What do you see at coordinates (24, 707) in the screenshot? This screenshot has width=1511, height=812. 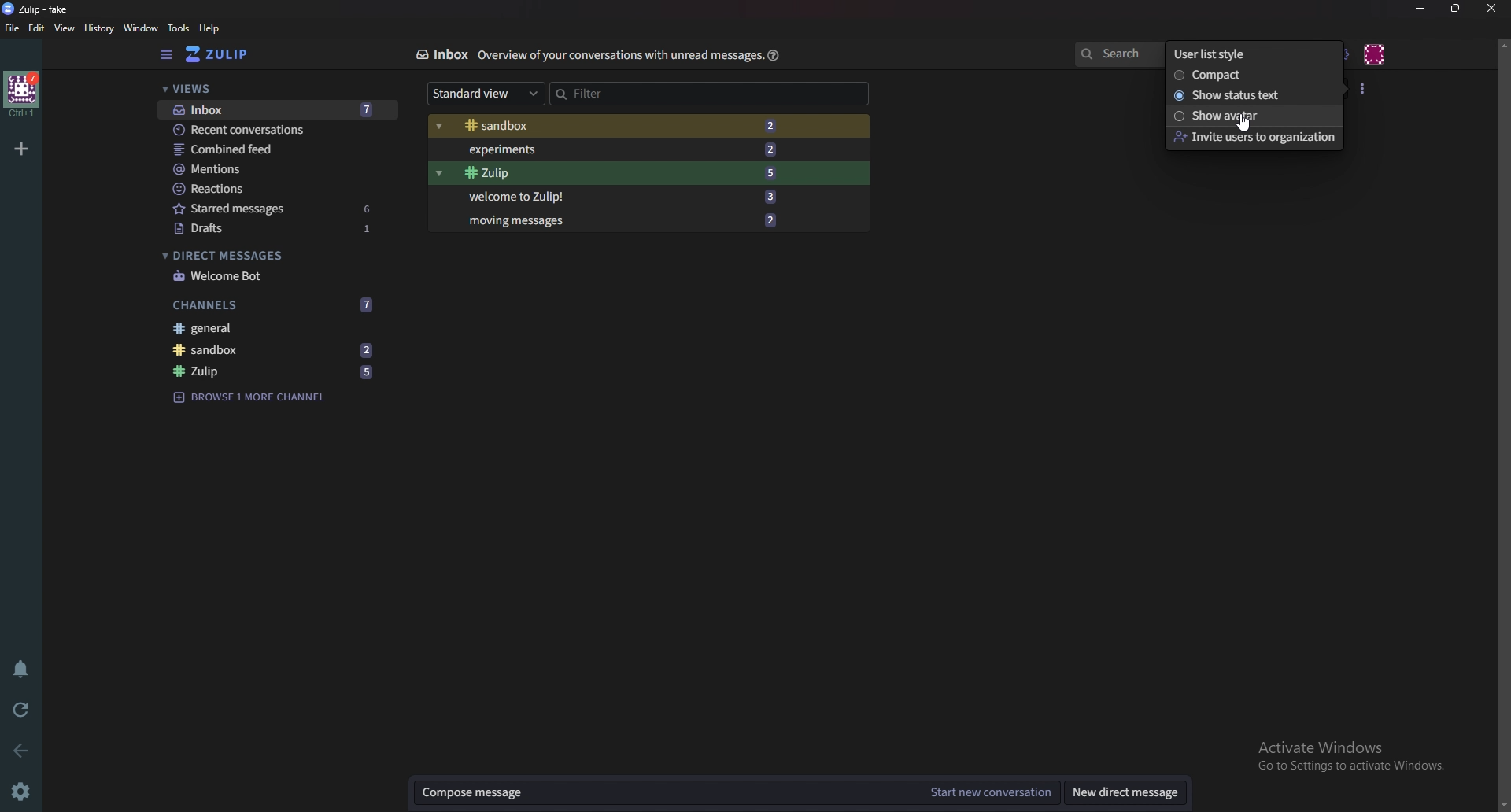 I see `Reload` at bounding box center [24, 707].